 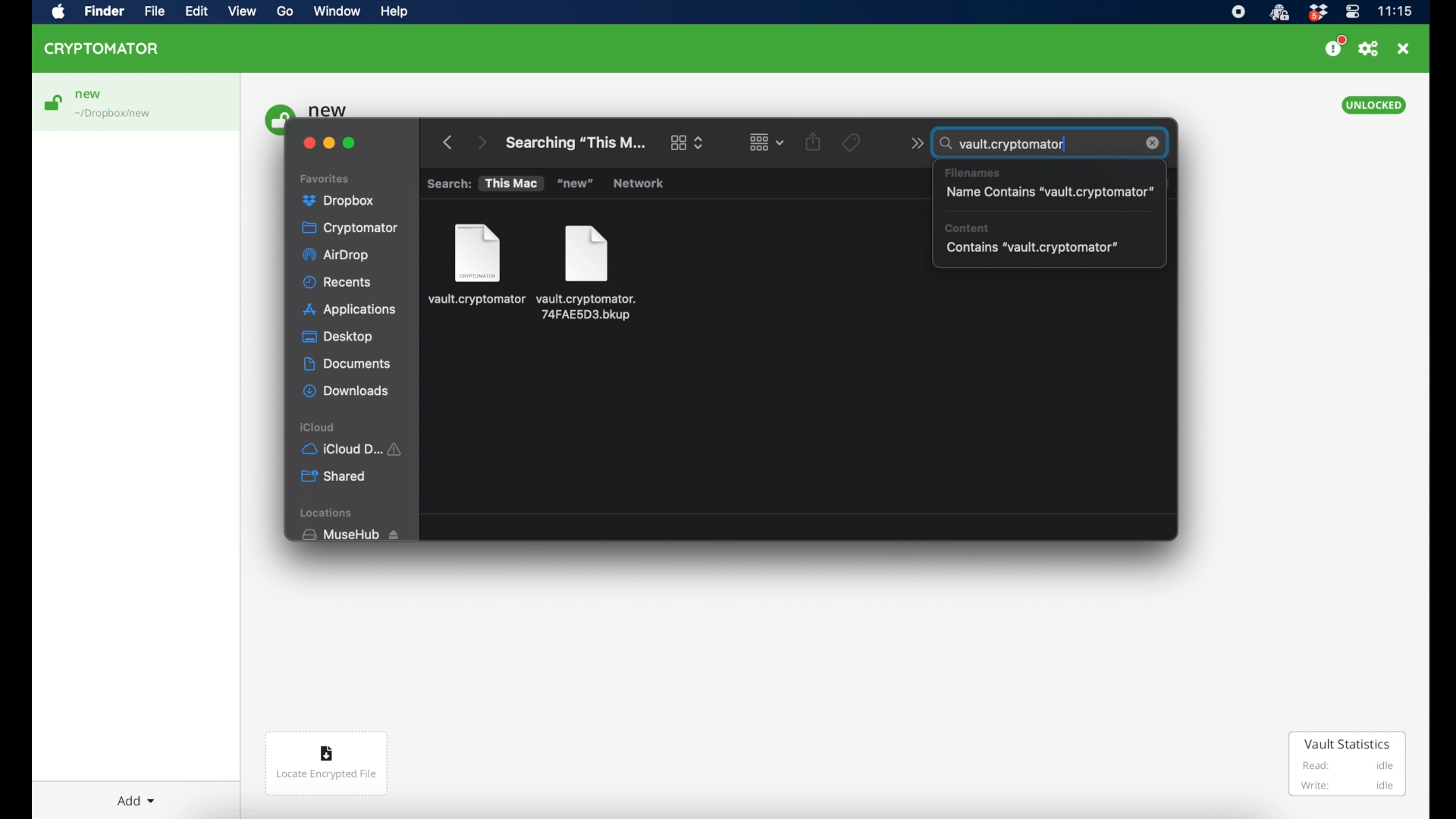 I want to click on file, so click(x=154, y=11).